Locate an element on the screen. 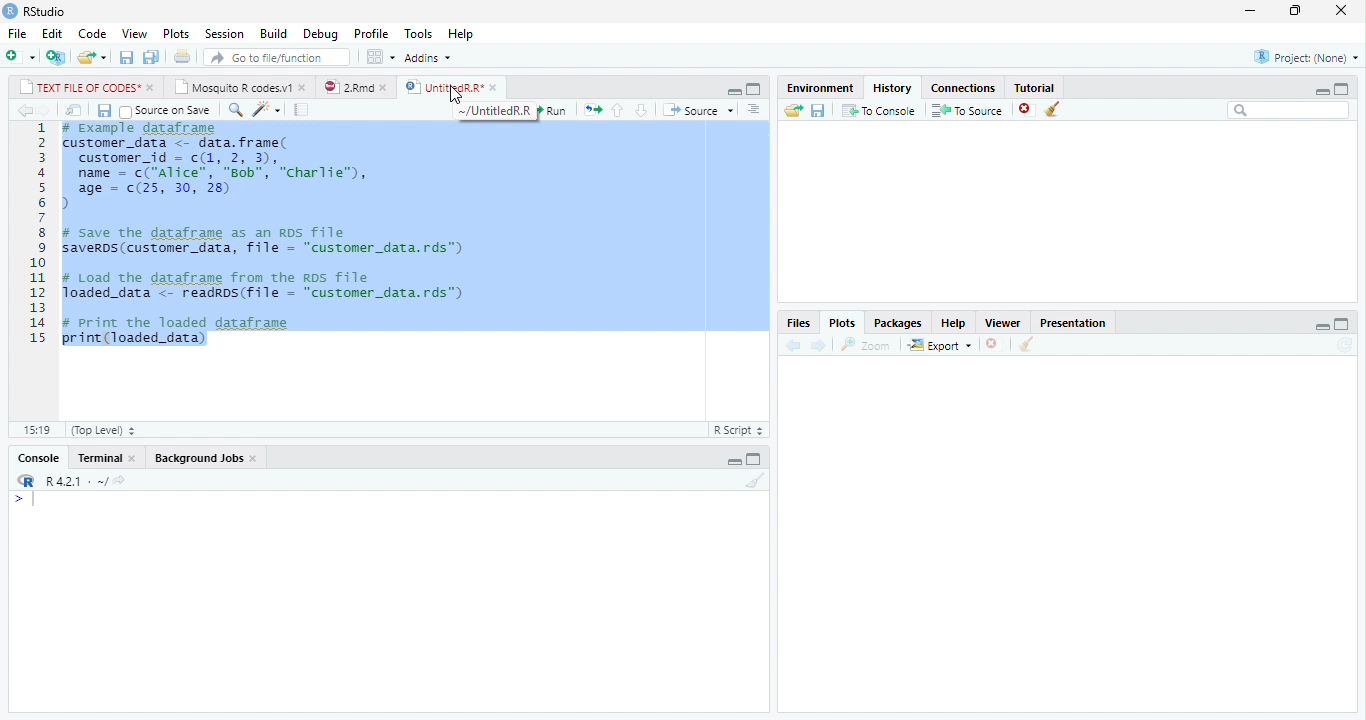 Image resolution: width=1366 pixels, height=720 pixels. clean is located at coordinates (1027, 344).